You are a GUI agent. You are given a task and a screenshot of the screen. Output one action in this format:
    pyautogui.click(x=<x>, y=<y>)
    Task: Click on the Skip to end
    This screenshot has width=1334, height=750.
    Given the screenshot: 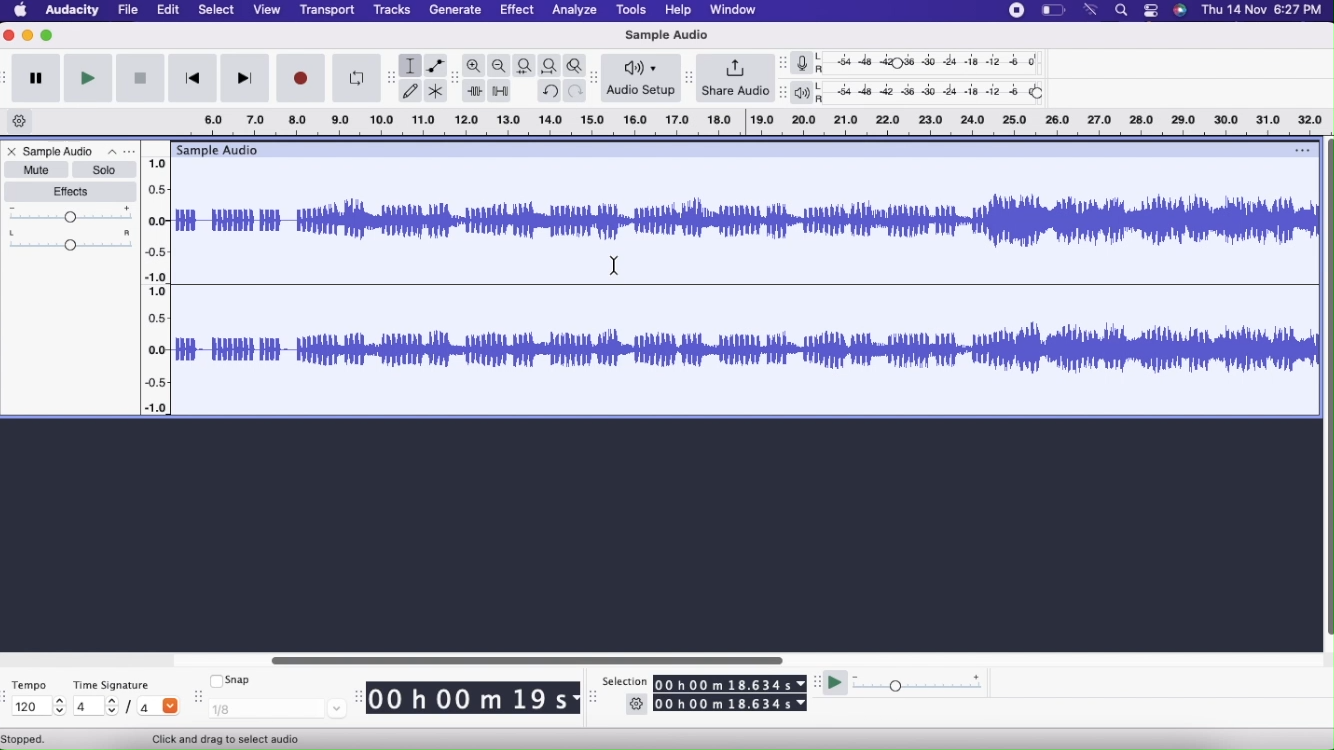 What is the action you would take?
    pyautogui.click(x=244, y=78)
    